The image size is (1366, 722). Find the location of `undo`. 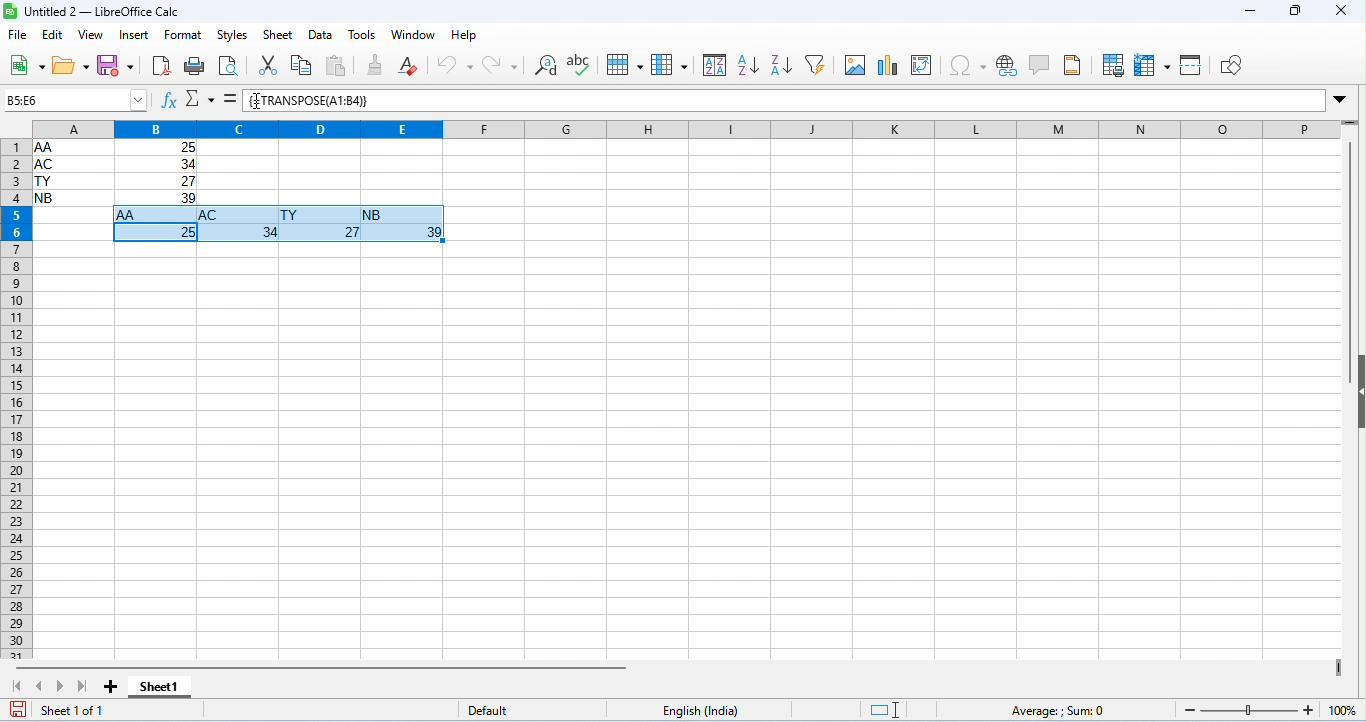

undo is located at coordinates (455, 64).